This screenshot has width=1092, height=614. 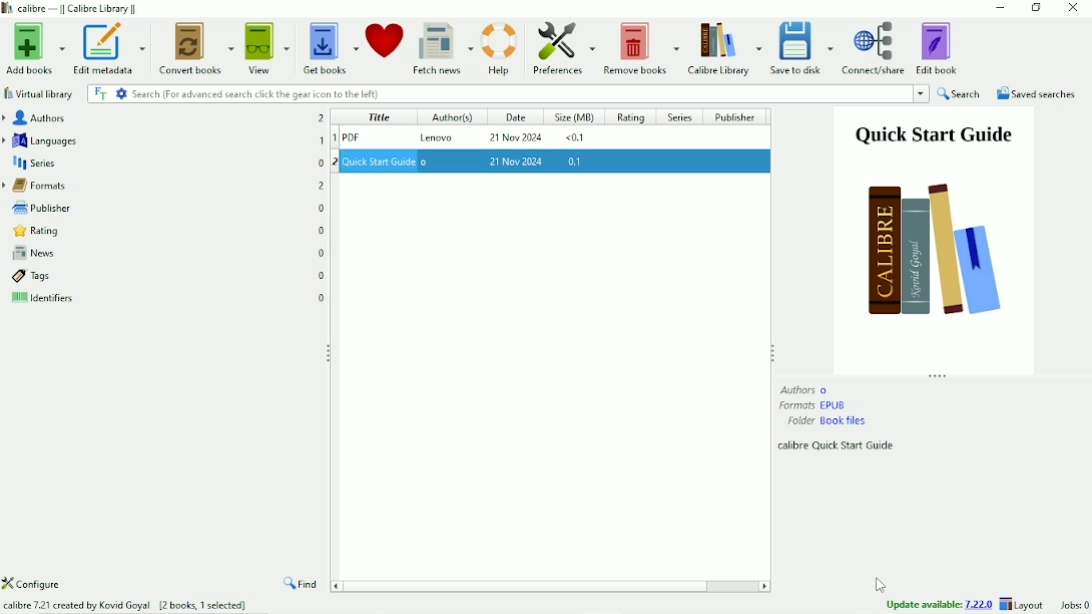 What do you see at coordinates (514, 117) in the screenshot?
I see `Date` at bounding box center [514, 117].